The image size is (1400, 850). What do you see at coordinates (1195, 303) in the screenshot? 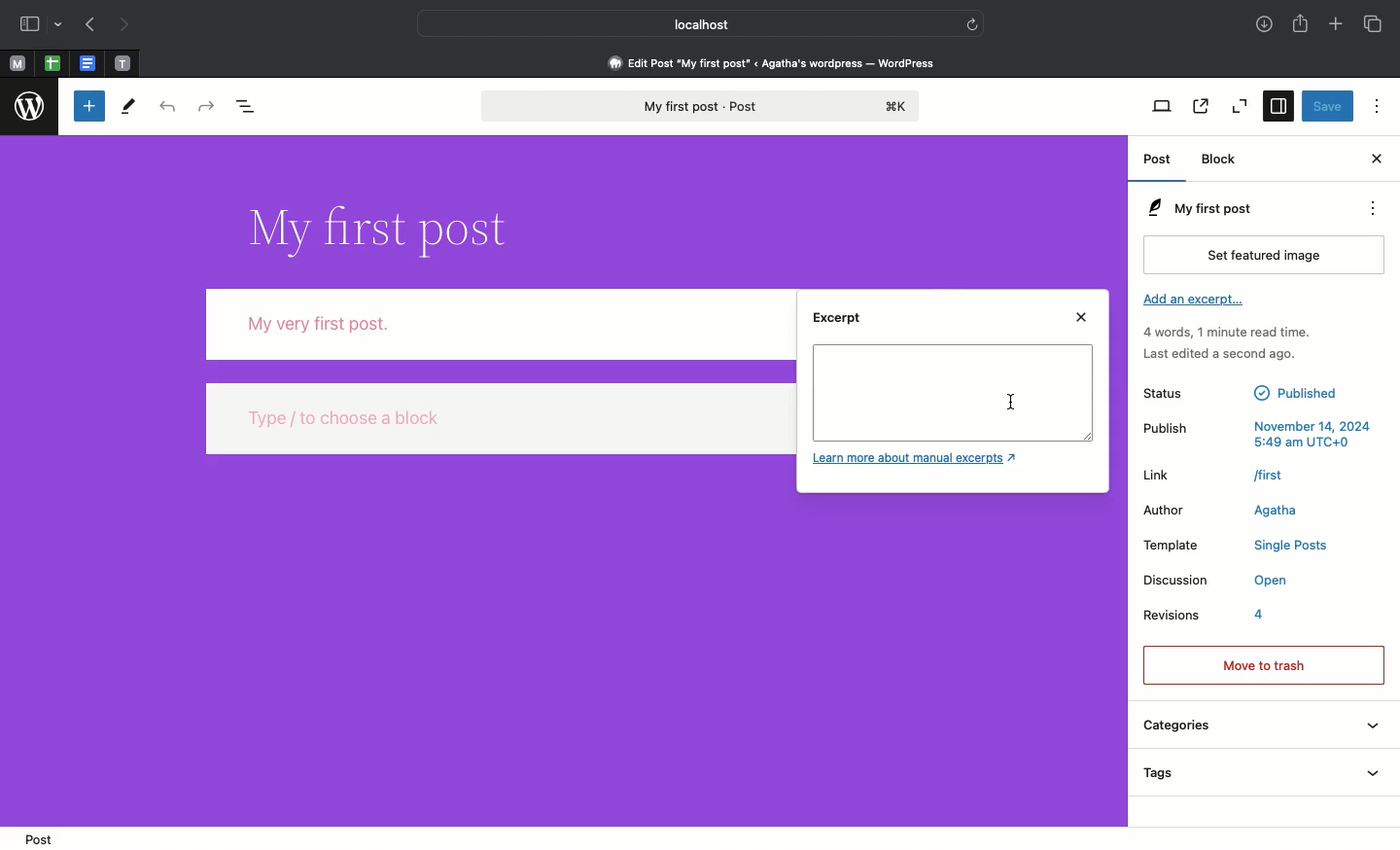
I see `Add an excerpt` at bounding box center [1195, 303].